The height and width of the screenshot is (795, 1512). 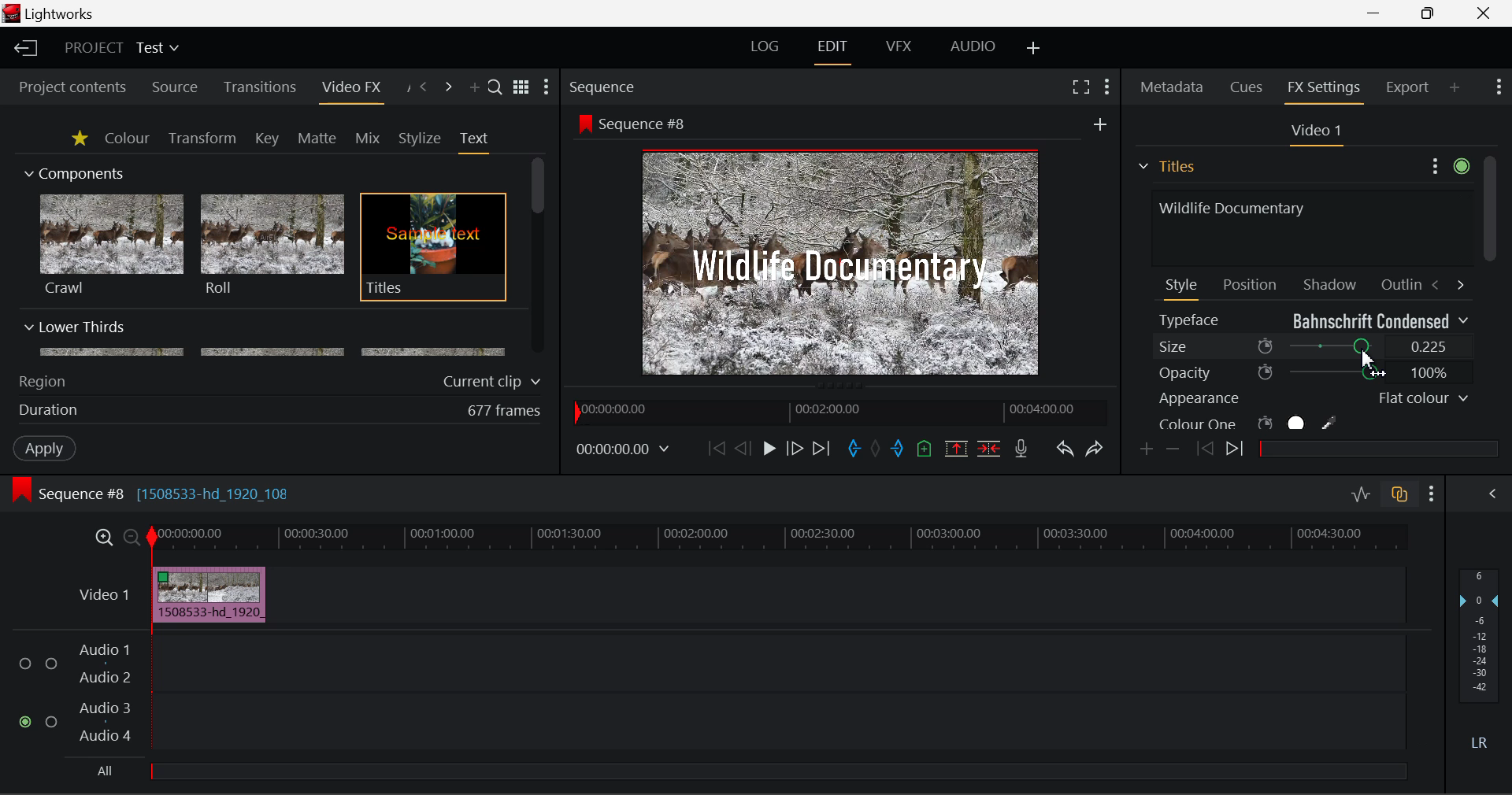 I want to click on Audio 2, so click(x=106, y=678).